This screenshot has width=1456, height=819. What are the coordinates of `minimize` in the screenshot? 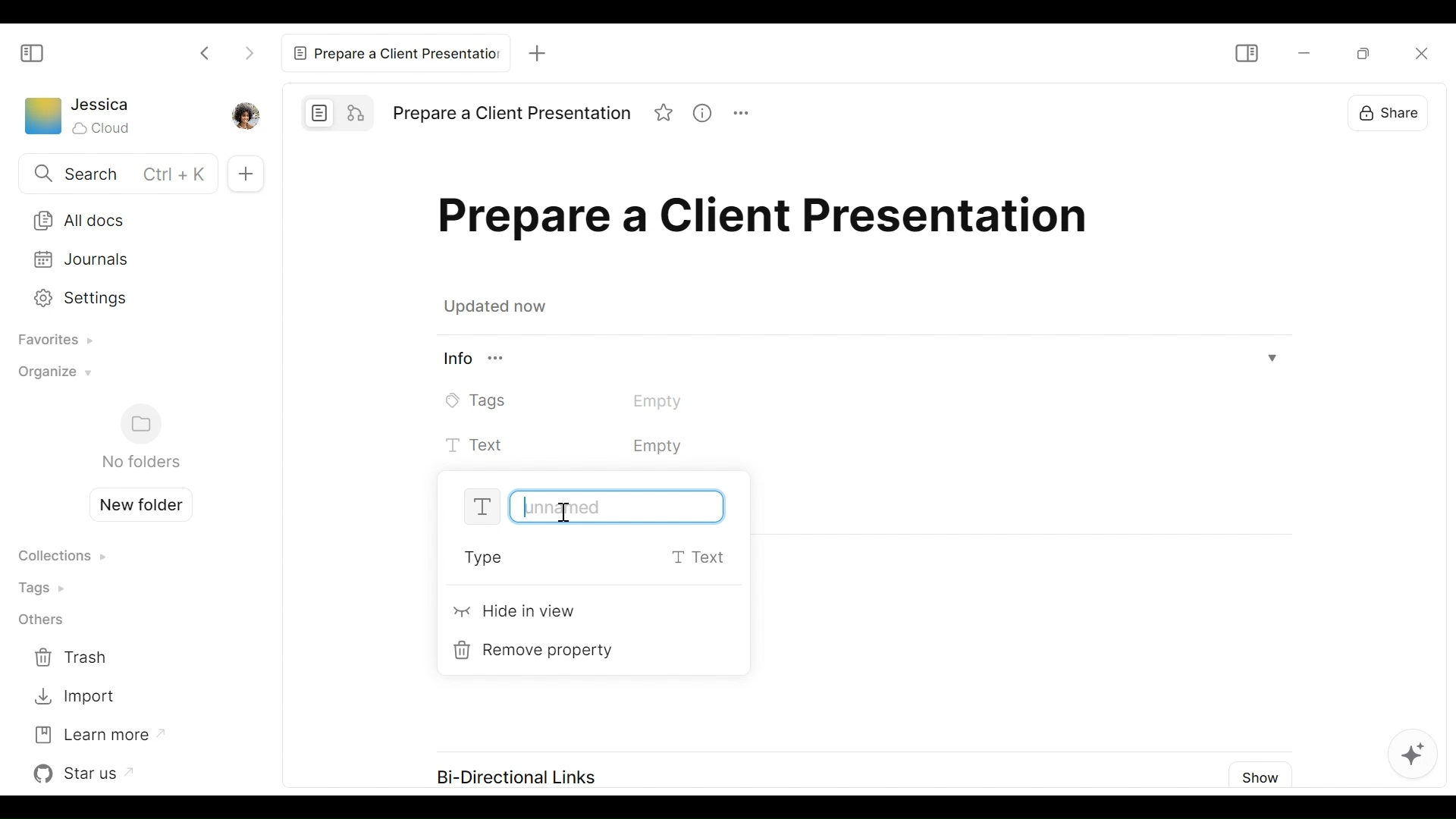 It's located at (1302, 54).